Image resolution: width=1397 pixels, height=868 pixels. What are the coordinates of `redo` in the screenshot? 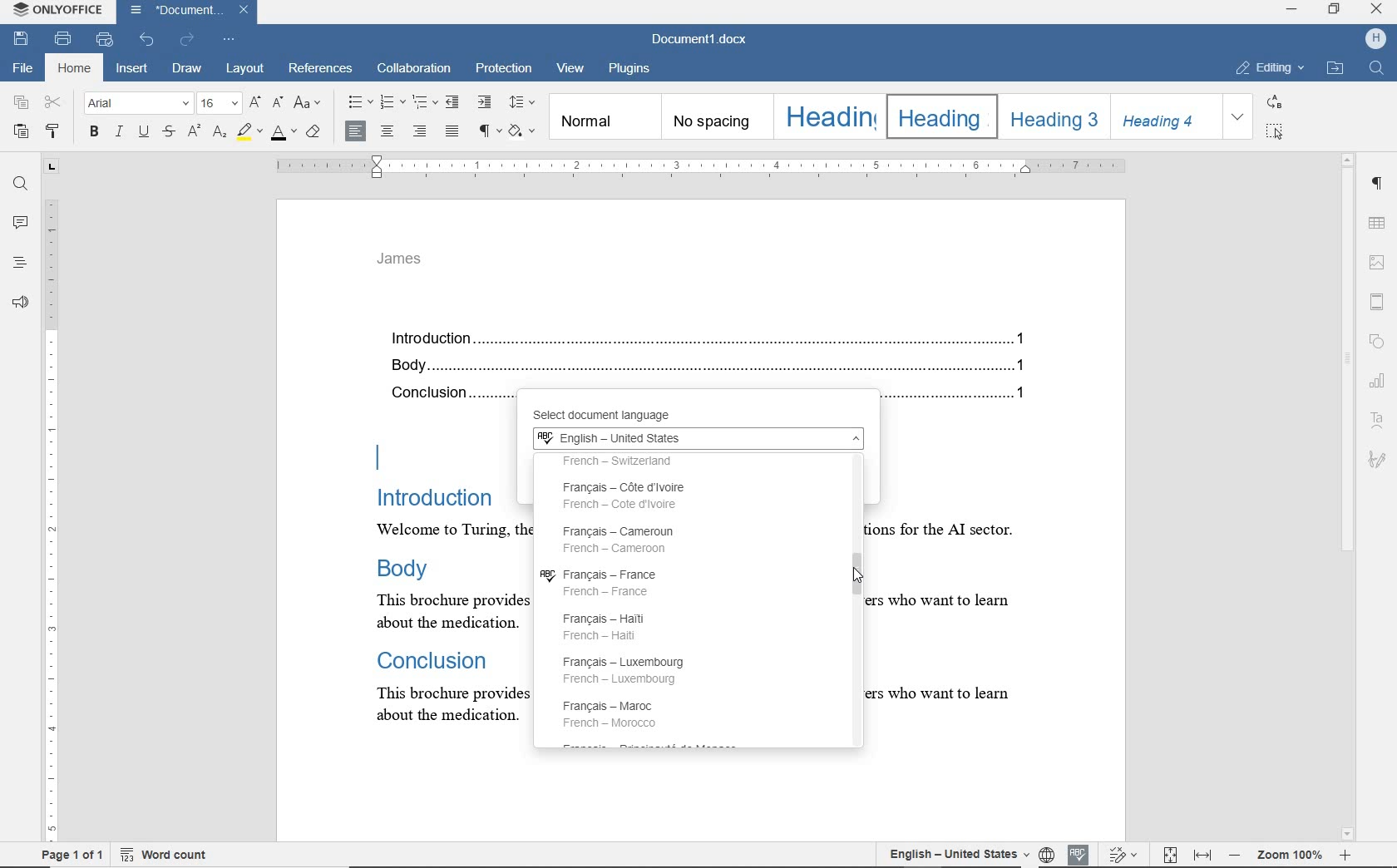 It's located at (187, 40).